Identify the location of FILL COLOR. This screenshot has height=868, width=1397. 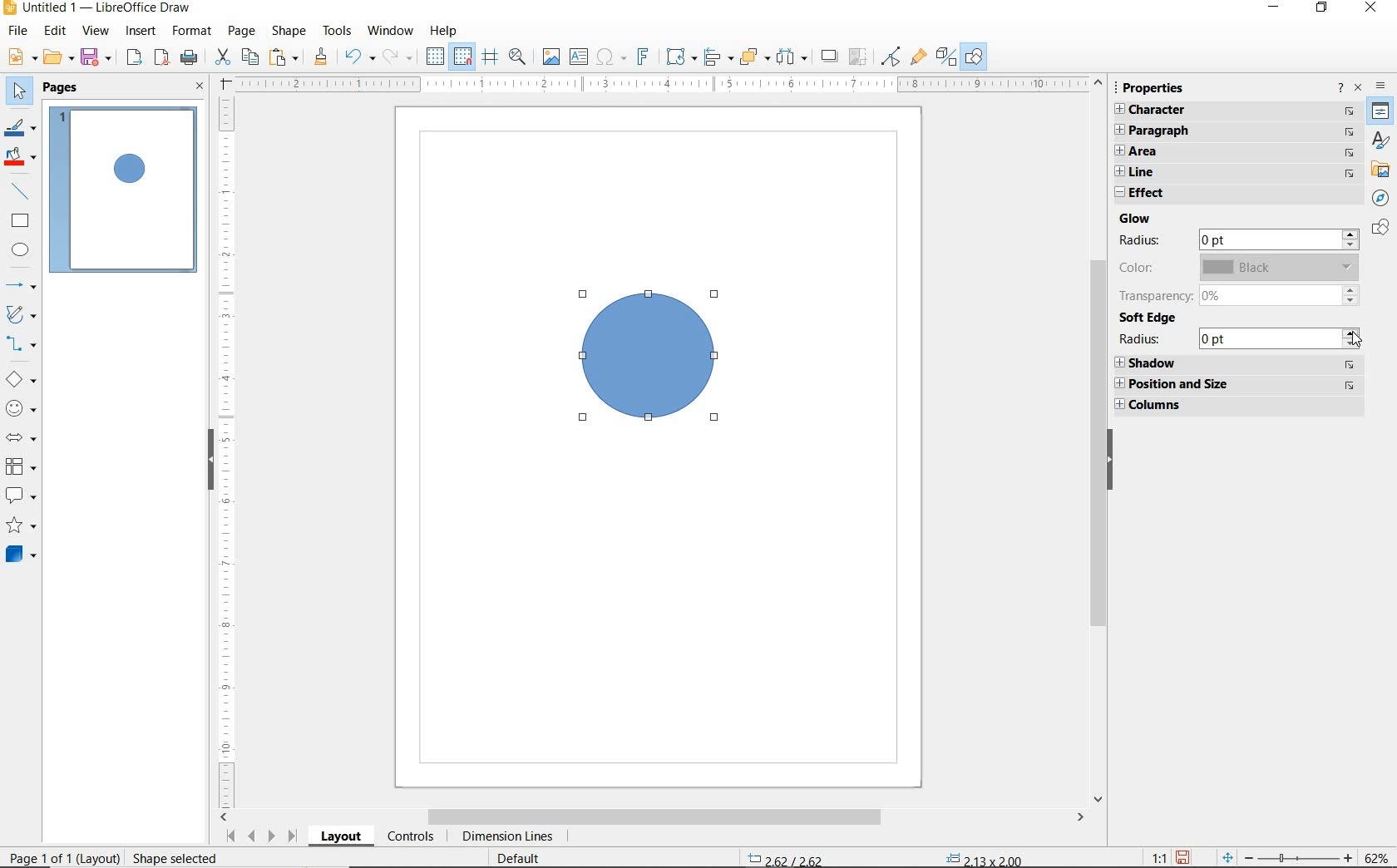
(22, 158).